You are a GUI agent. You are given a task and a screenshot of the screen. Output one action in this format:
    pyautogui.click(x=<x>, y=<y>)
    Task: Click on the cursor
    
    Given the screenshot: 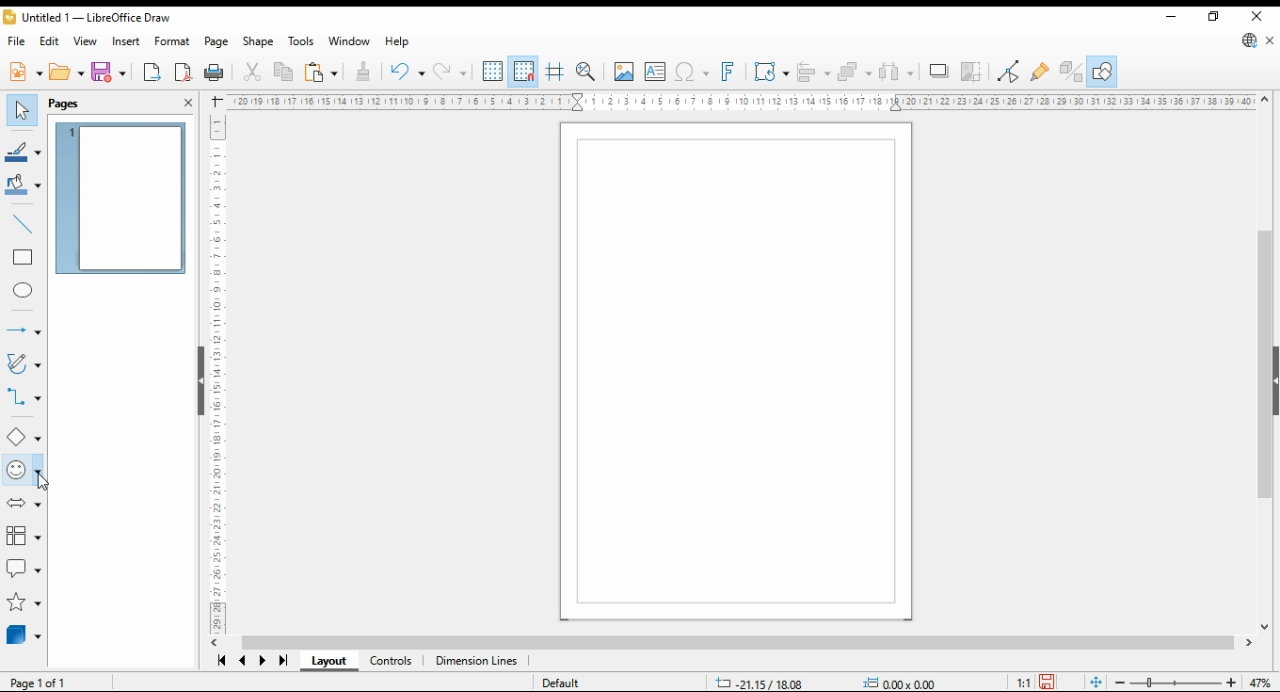 What is the action you would take?
    pyautogui.click(x=40, y=483)
    